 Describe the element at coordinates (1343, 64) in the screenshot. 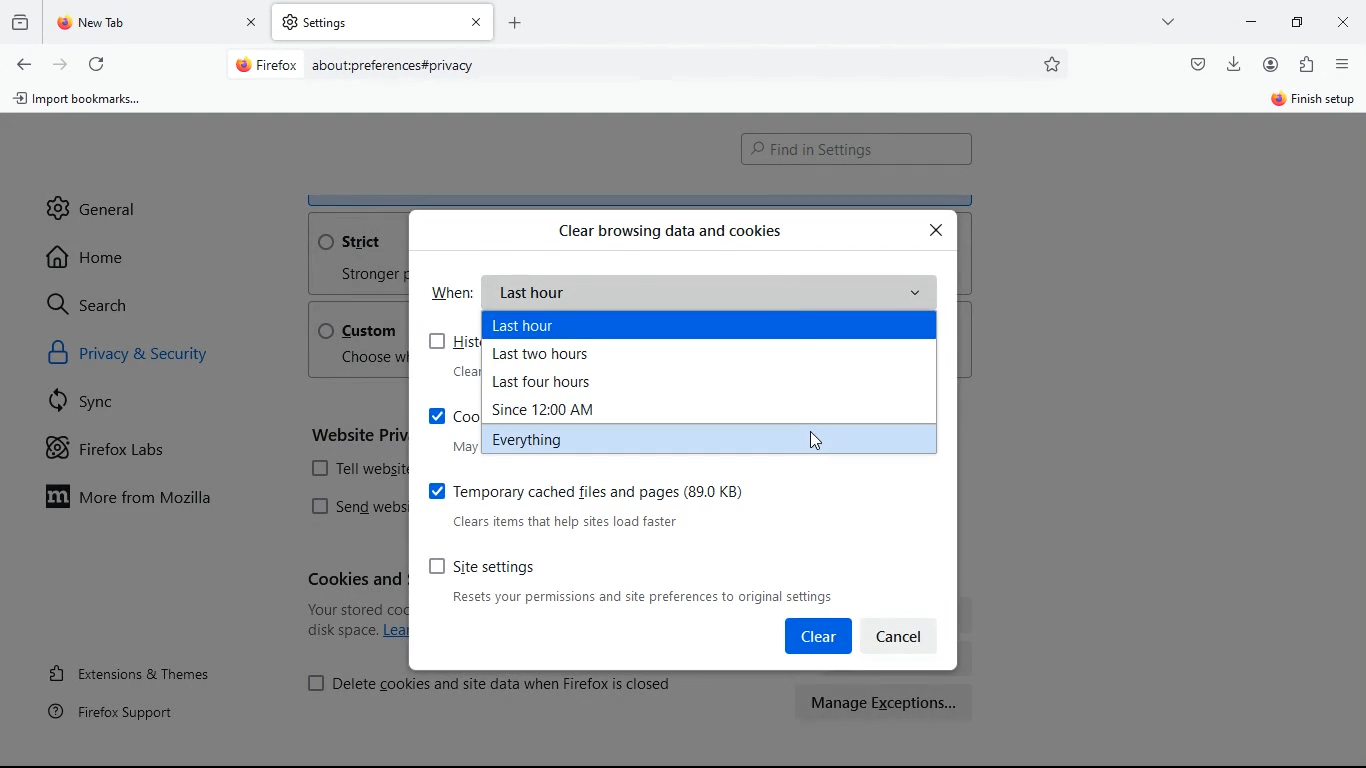

I see `menu` at that location.